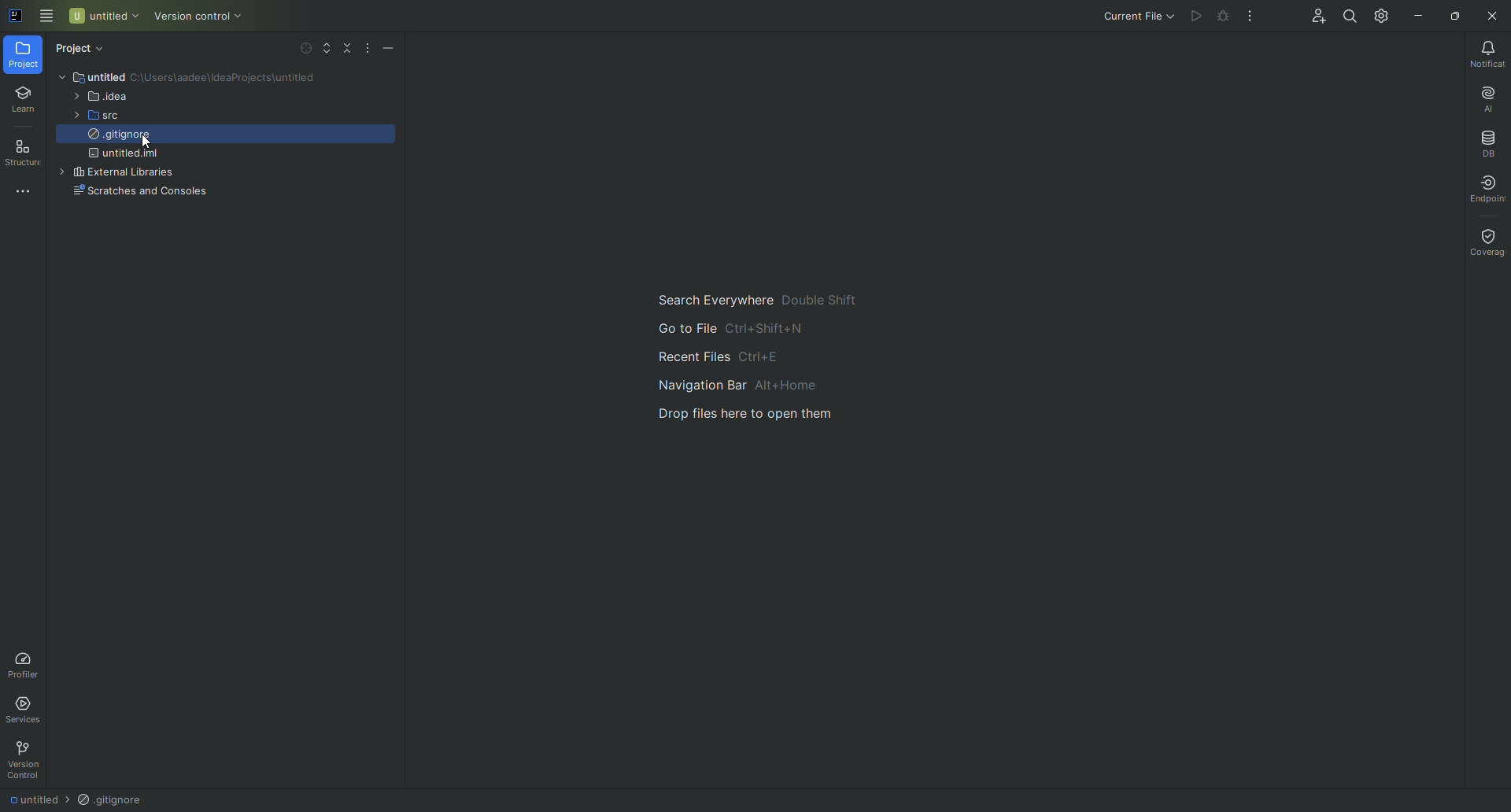 The height and width of the screenshot is (812, 1511). I want to click on Collapse, so click(351, 50).